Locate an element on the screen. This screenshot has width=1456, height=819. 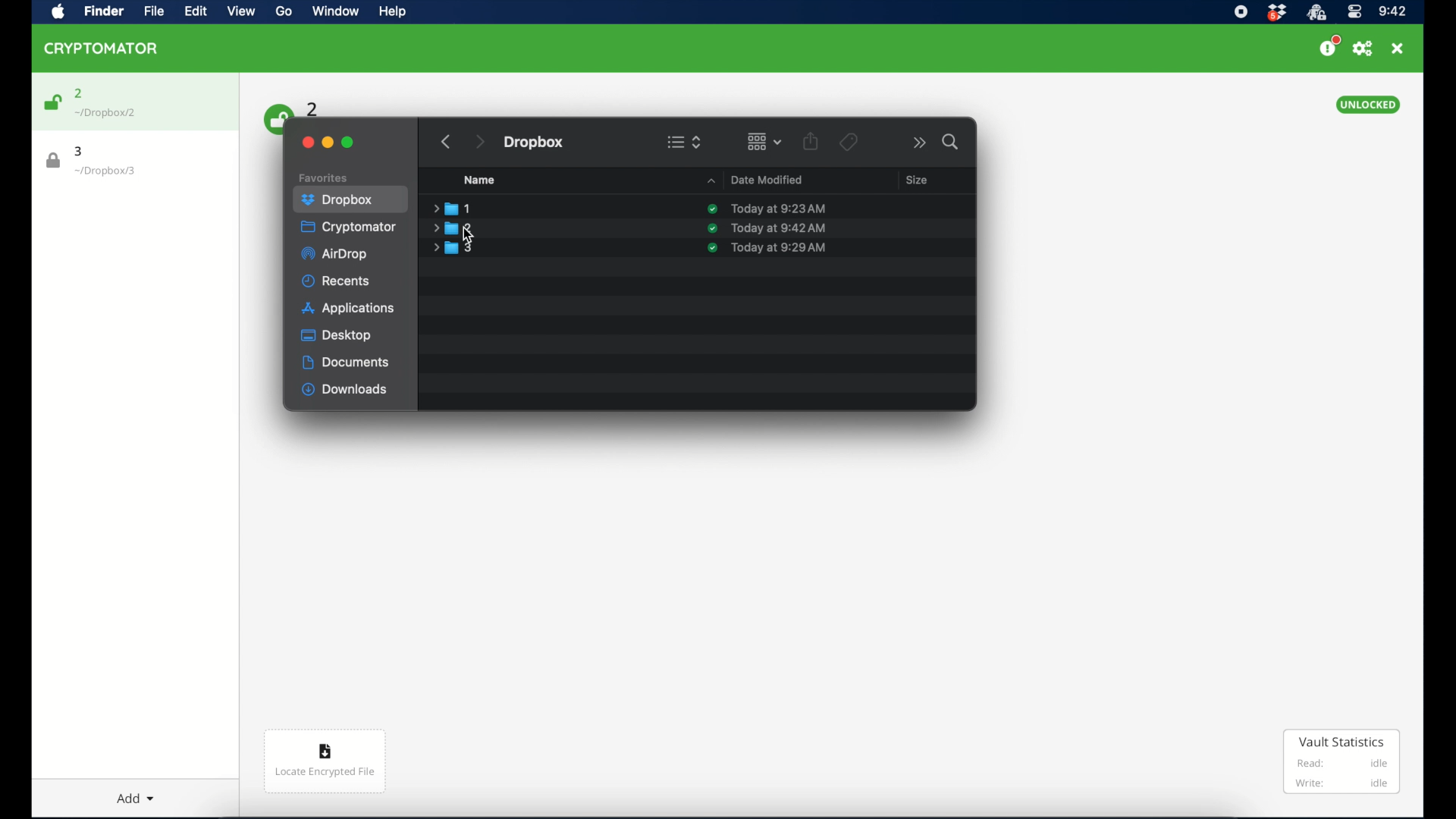
time is located at coordinates (1392, 12).